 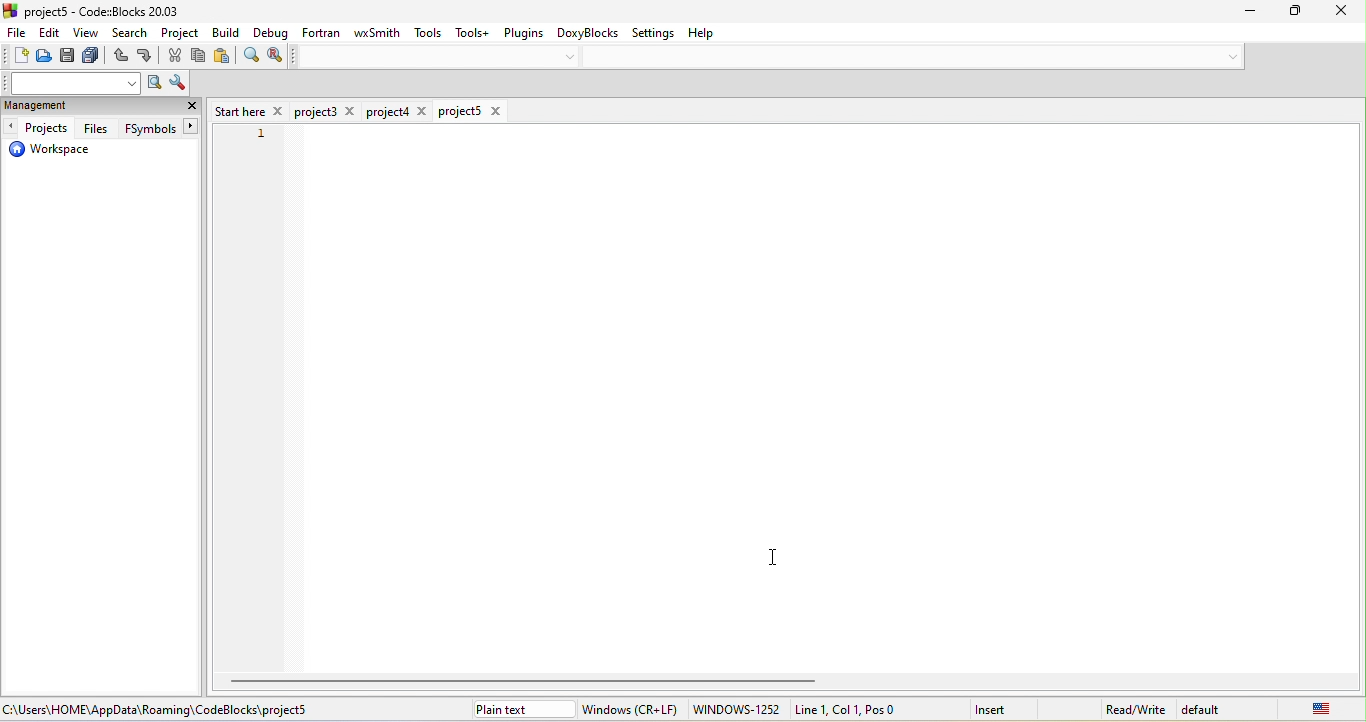 What do you see at coordinates (181, 34) in the screenshot?
I see `project` at bounding box center [181, 34].